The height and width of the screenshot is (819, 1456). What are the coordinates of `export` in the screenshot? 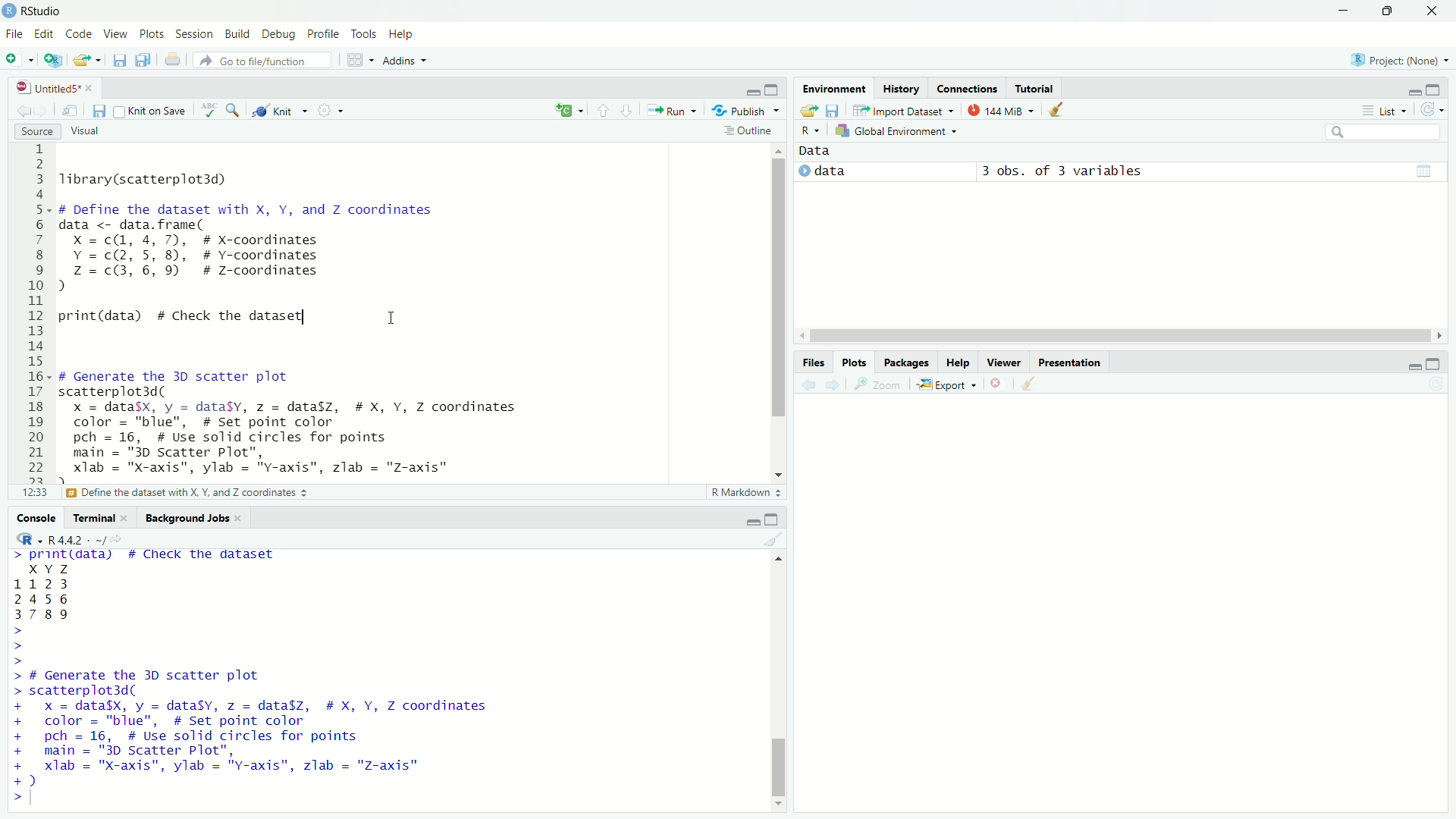 It's located at (946, 383).